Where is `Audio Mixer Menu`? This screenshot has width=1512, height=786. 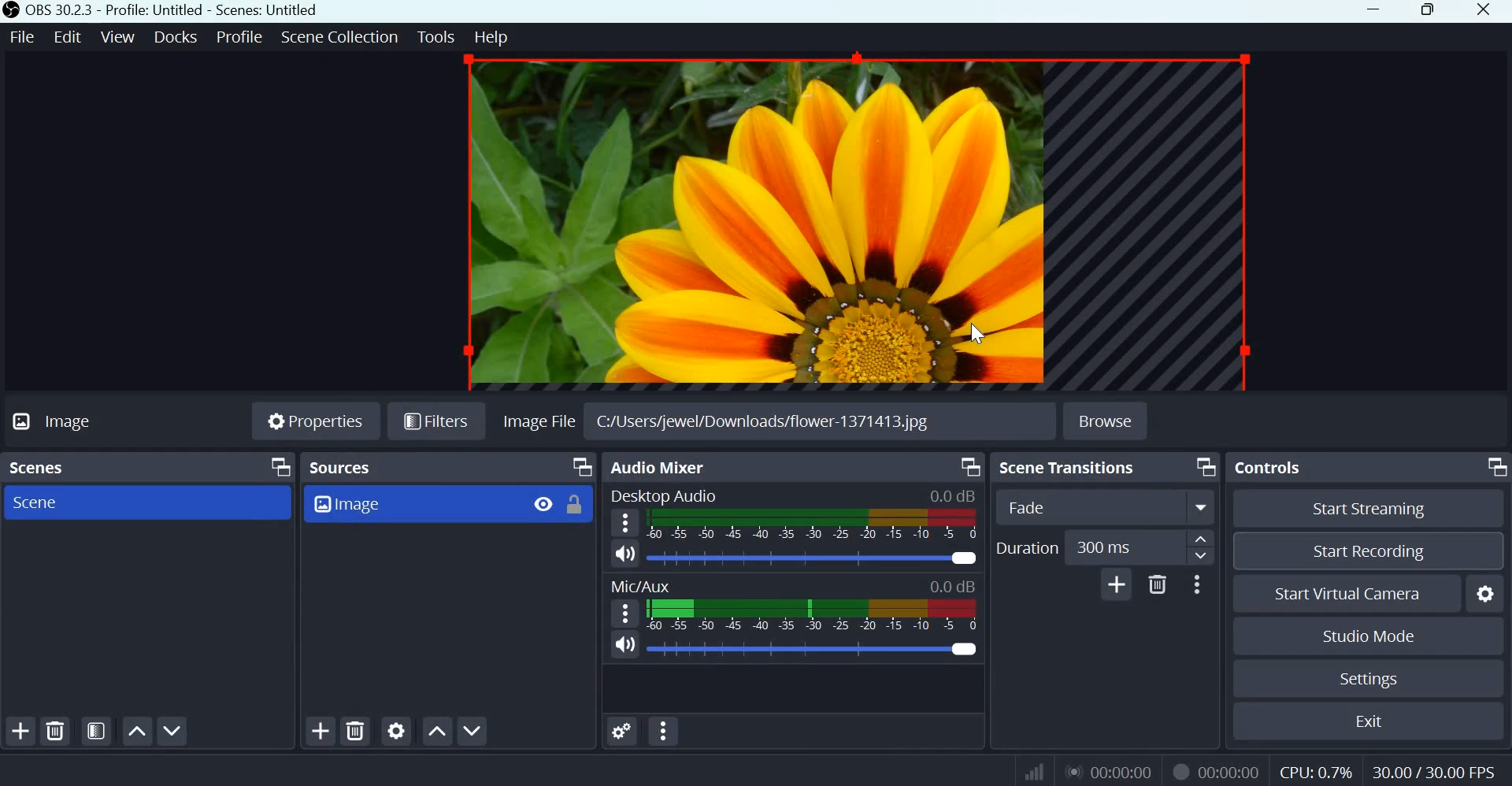 Audio Mixer Menu is located at coordinates (665, 732).